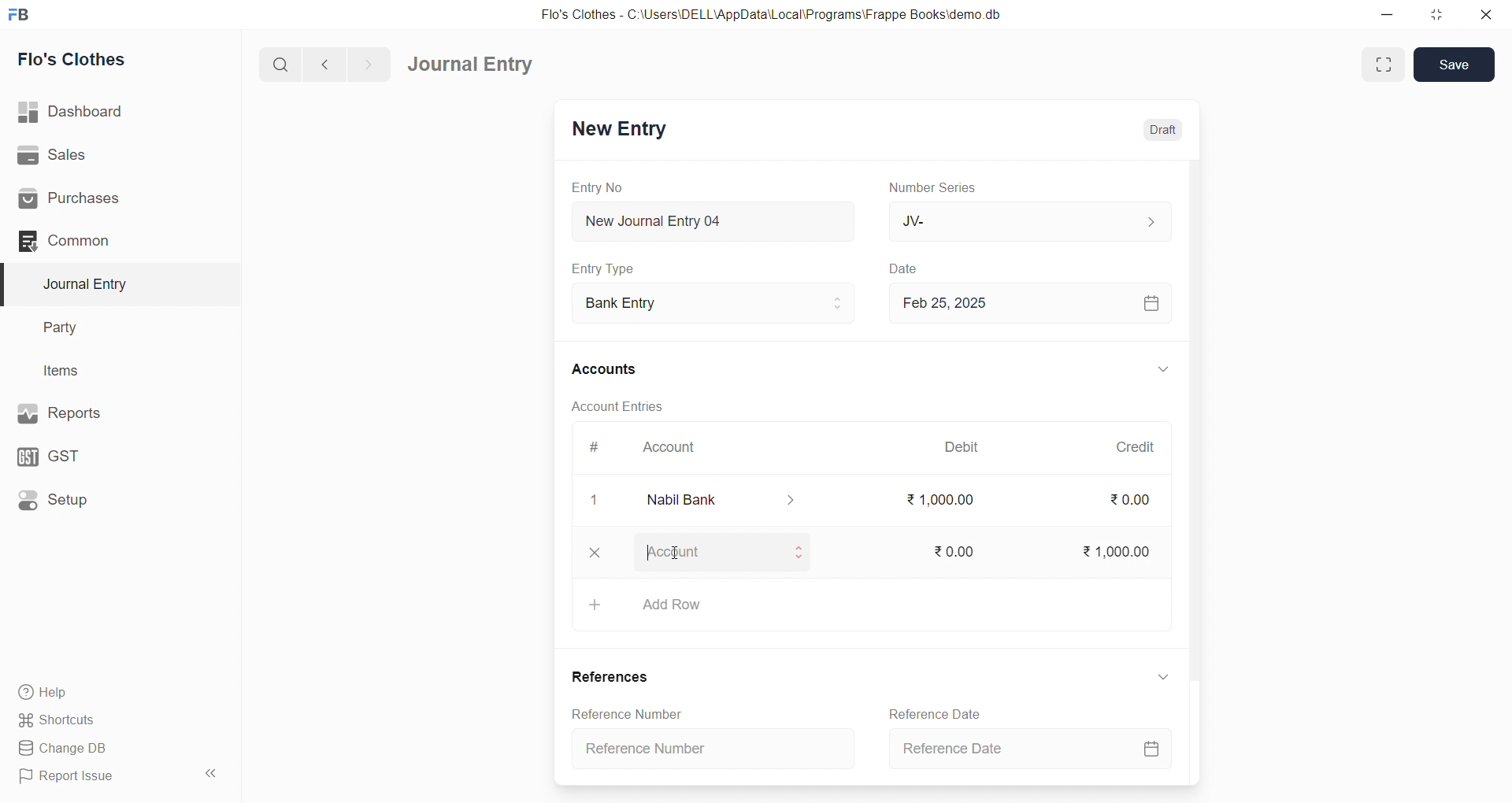 The width and height of the screenshot is (1512, 803). Describe the element at coordinates (1156, 677) in the screenshot. I see `Expand/collapse` at that location.